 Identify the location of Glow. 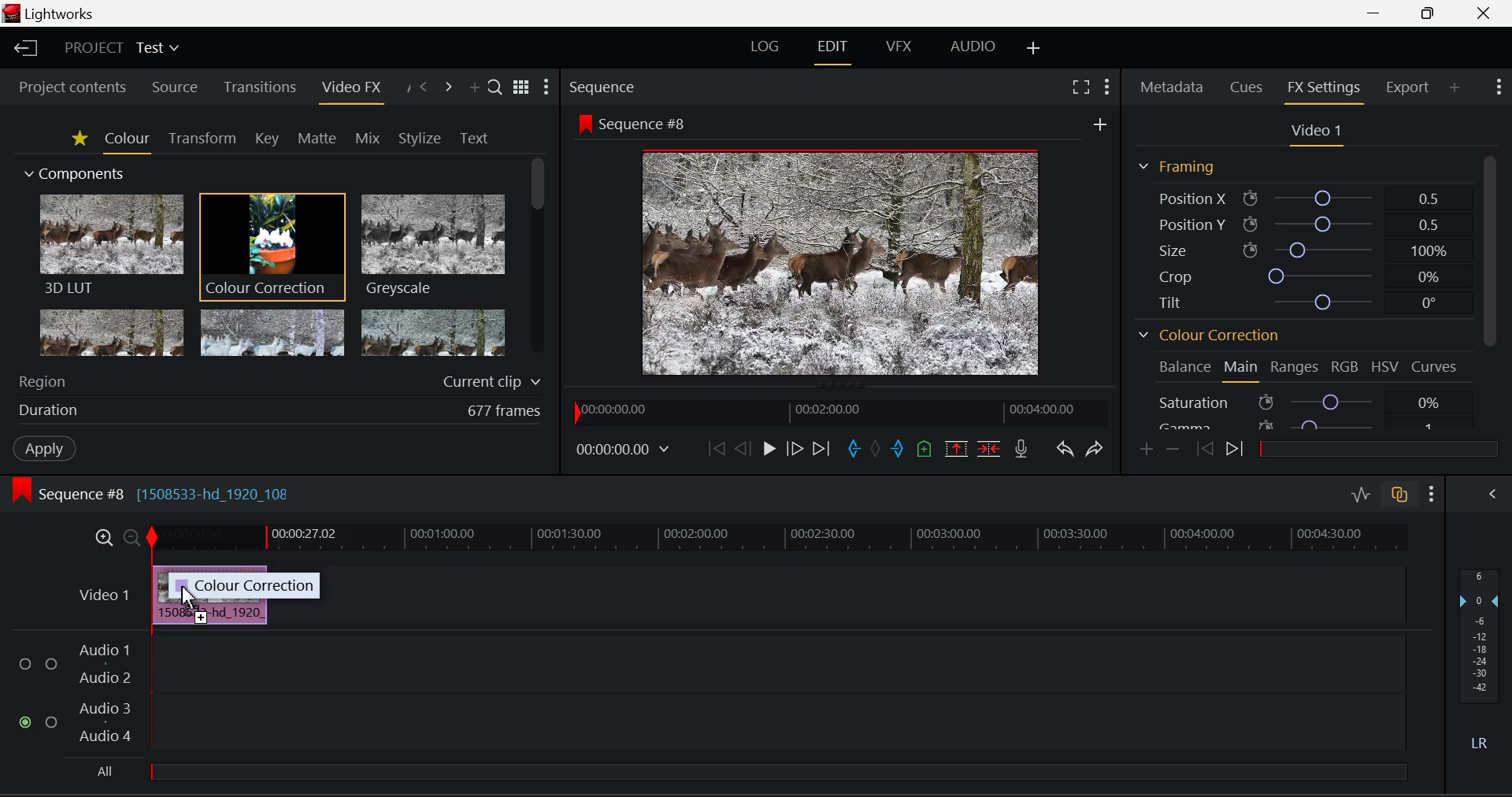
(113, 332).